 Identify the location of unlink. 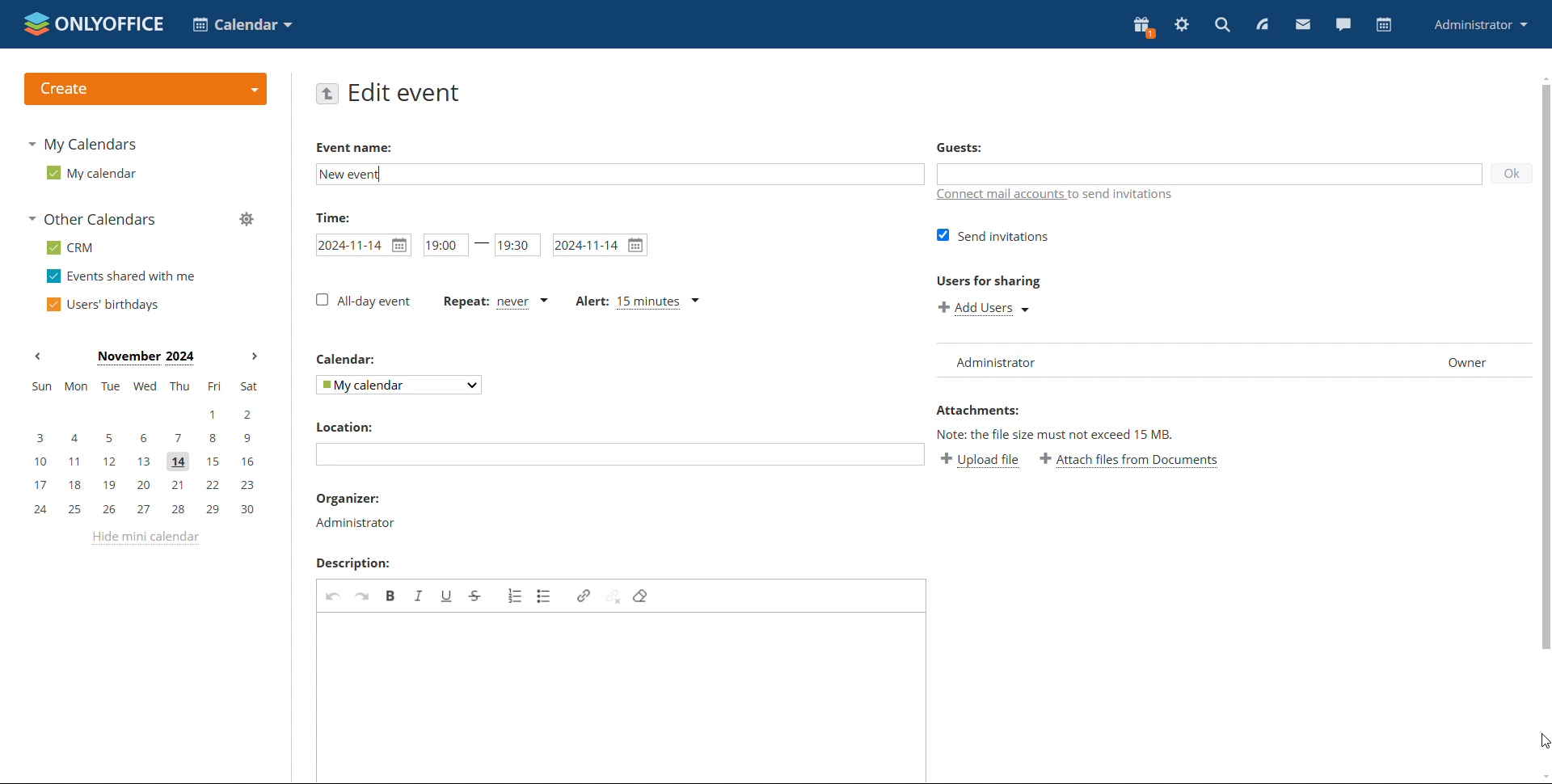
(614, 596).